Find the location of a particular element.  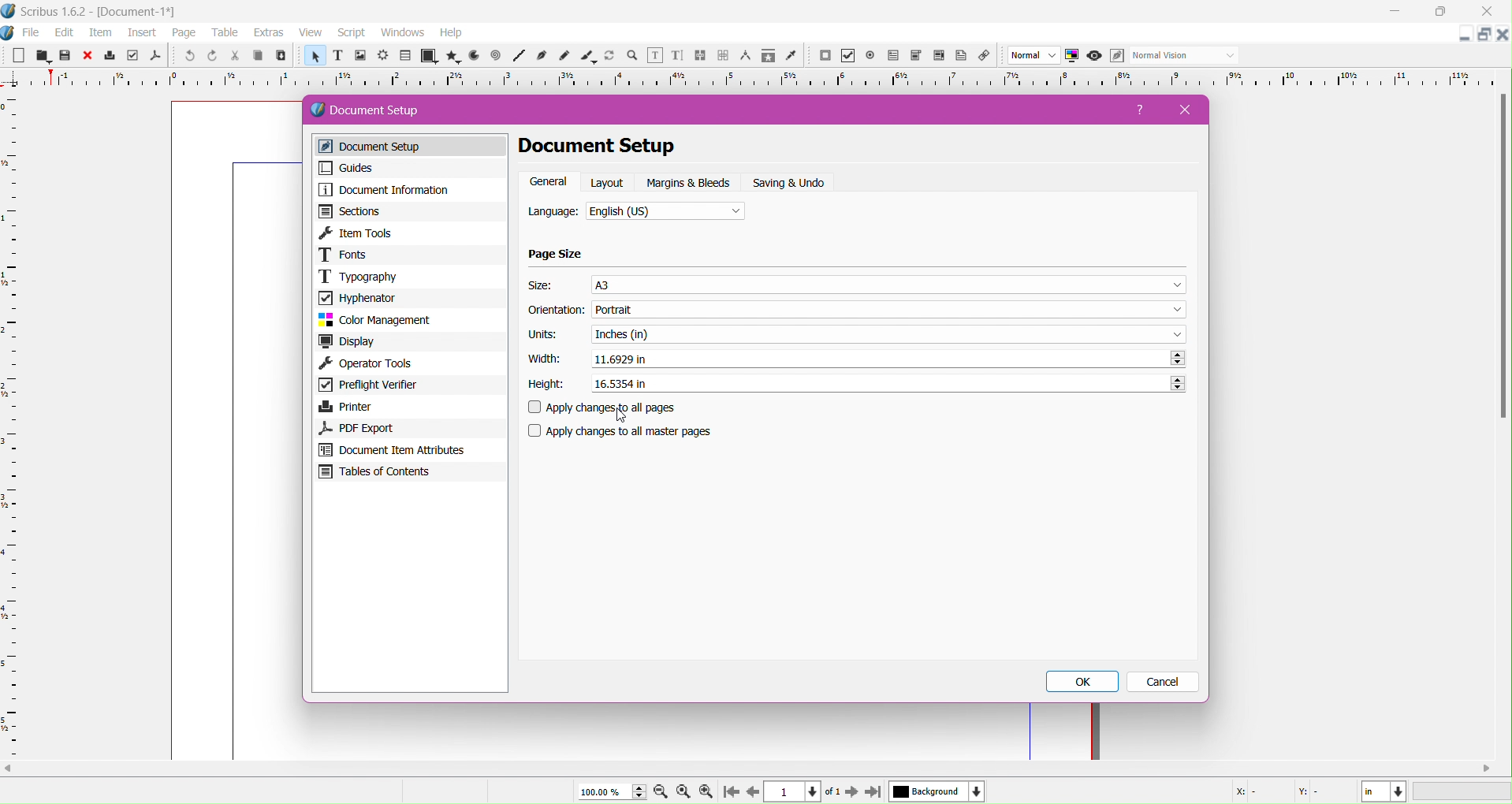

copy is located at coordinates (255, 57).